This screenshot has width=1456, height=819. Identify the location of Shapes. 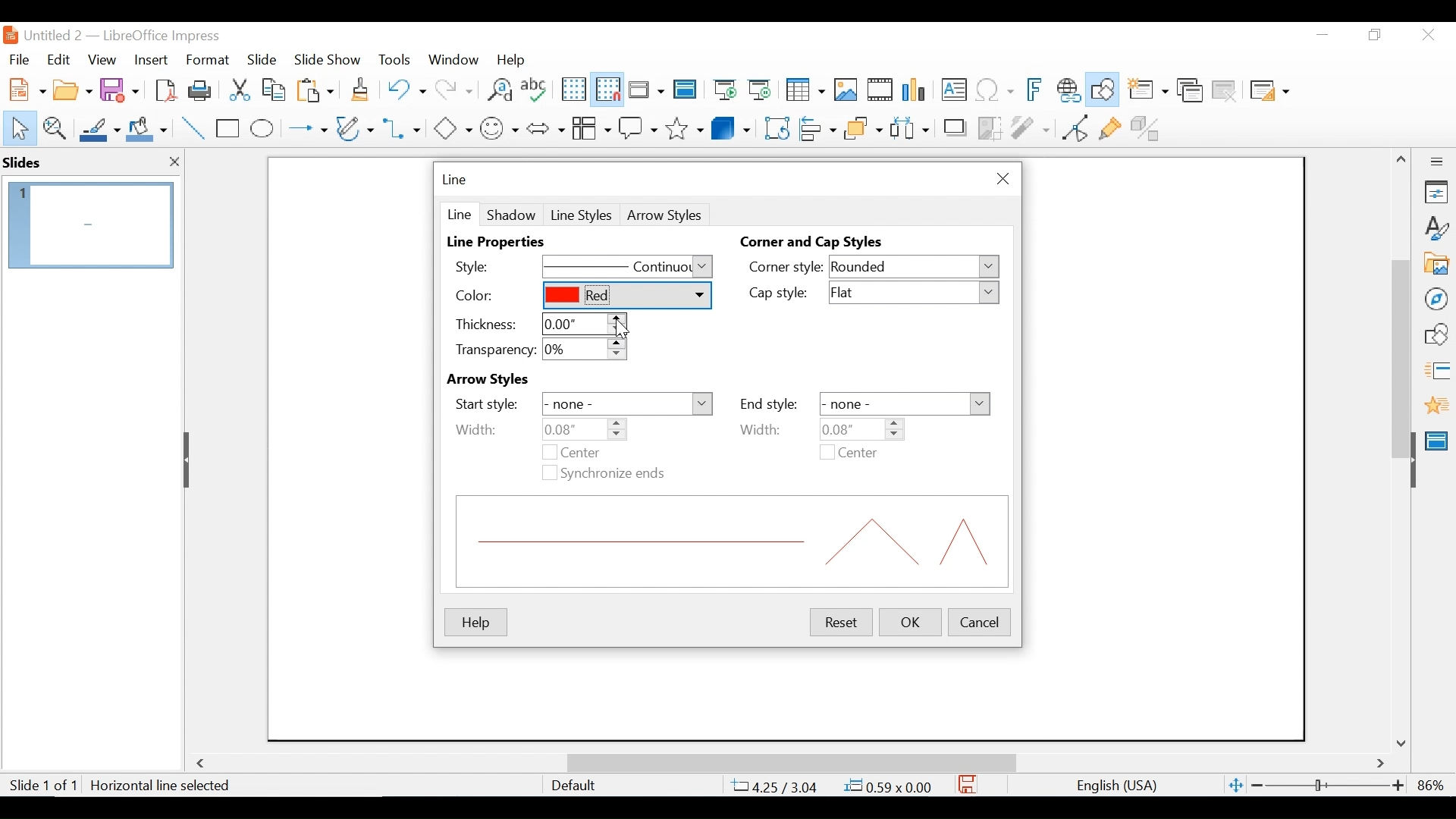
(1436, 334).